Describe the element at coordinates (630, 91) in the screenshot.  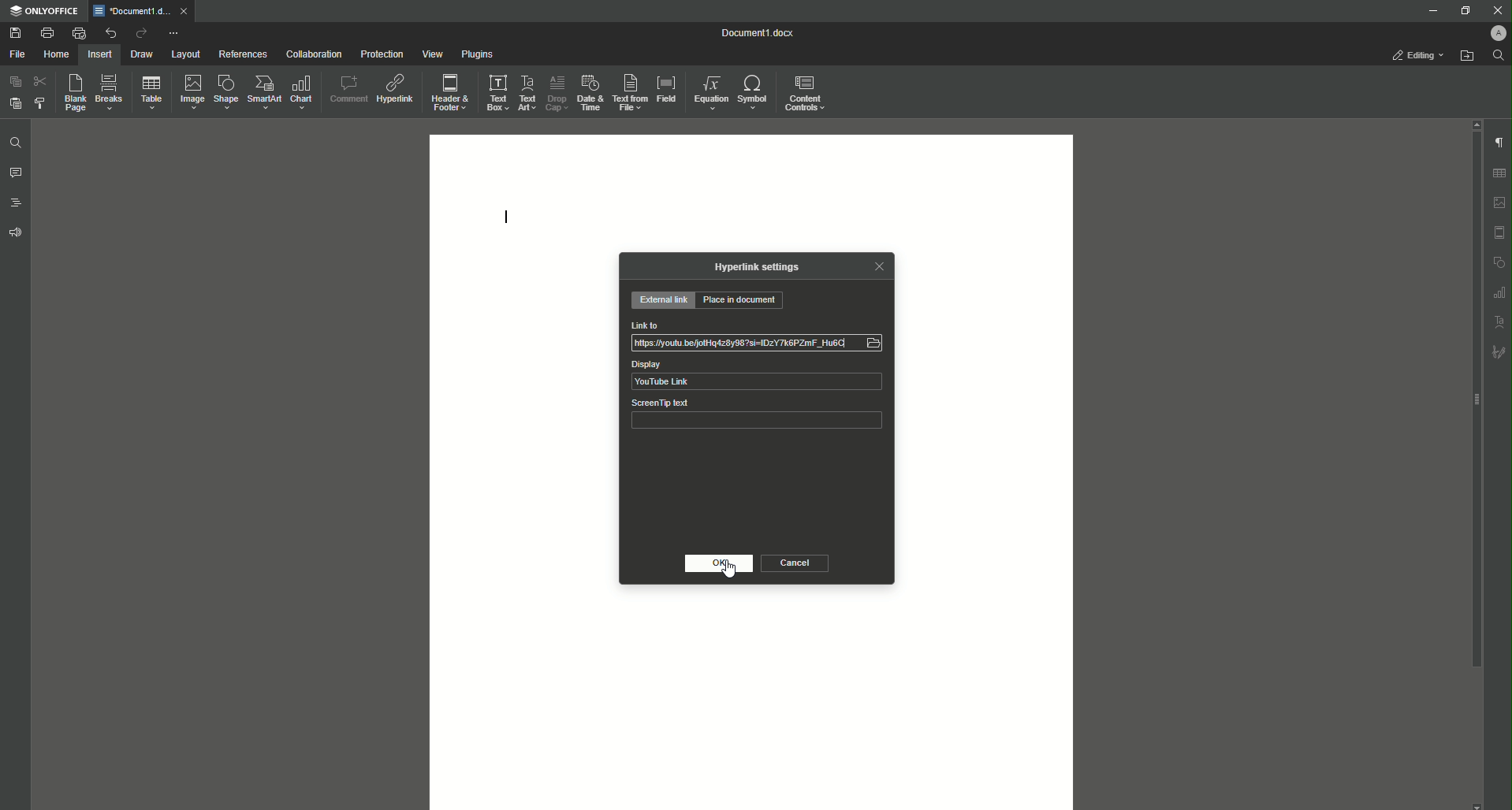
I see `Text From File` at that location.